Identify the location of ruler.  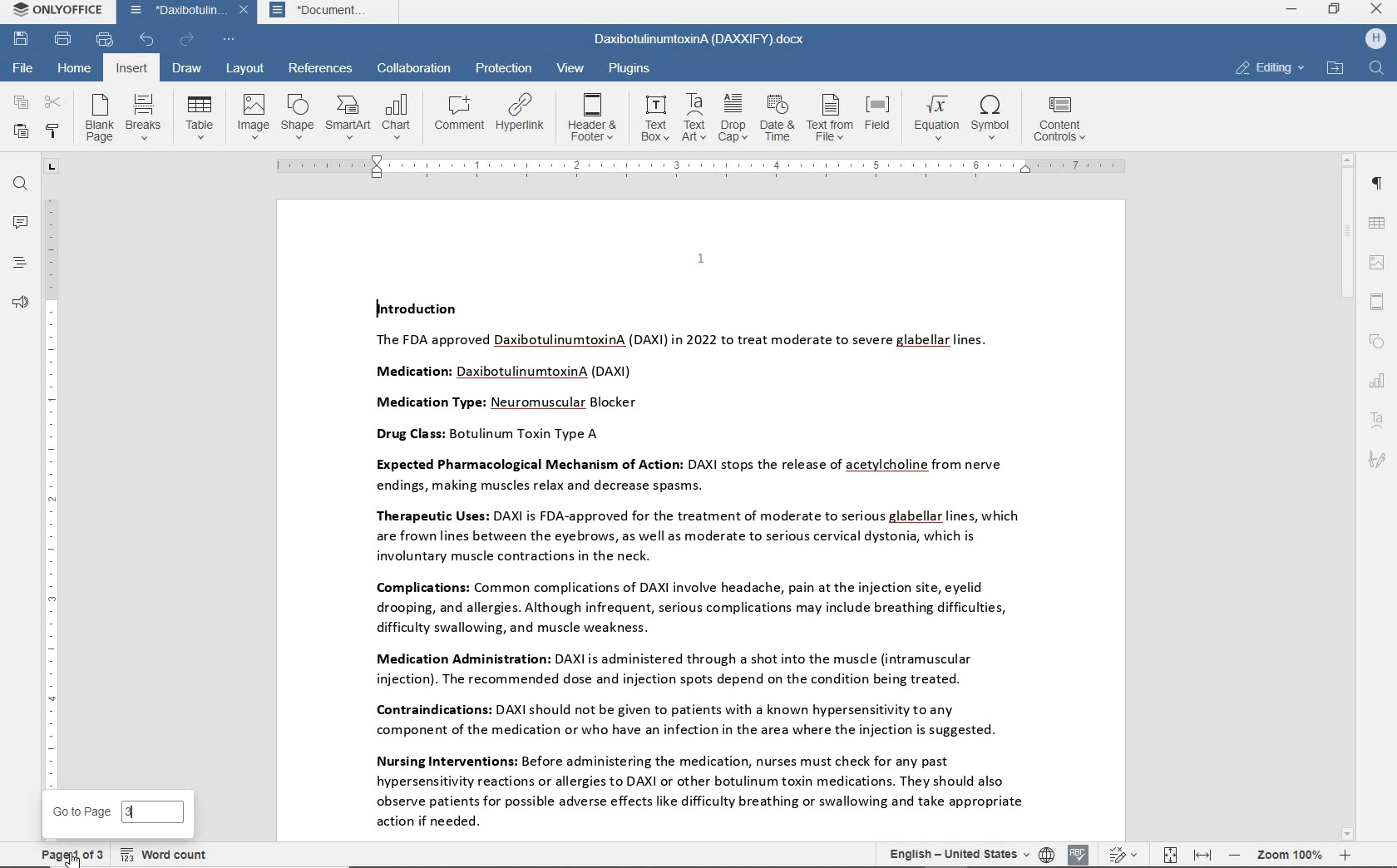
(51, 491).